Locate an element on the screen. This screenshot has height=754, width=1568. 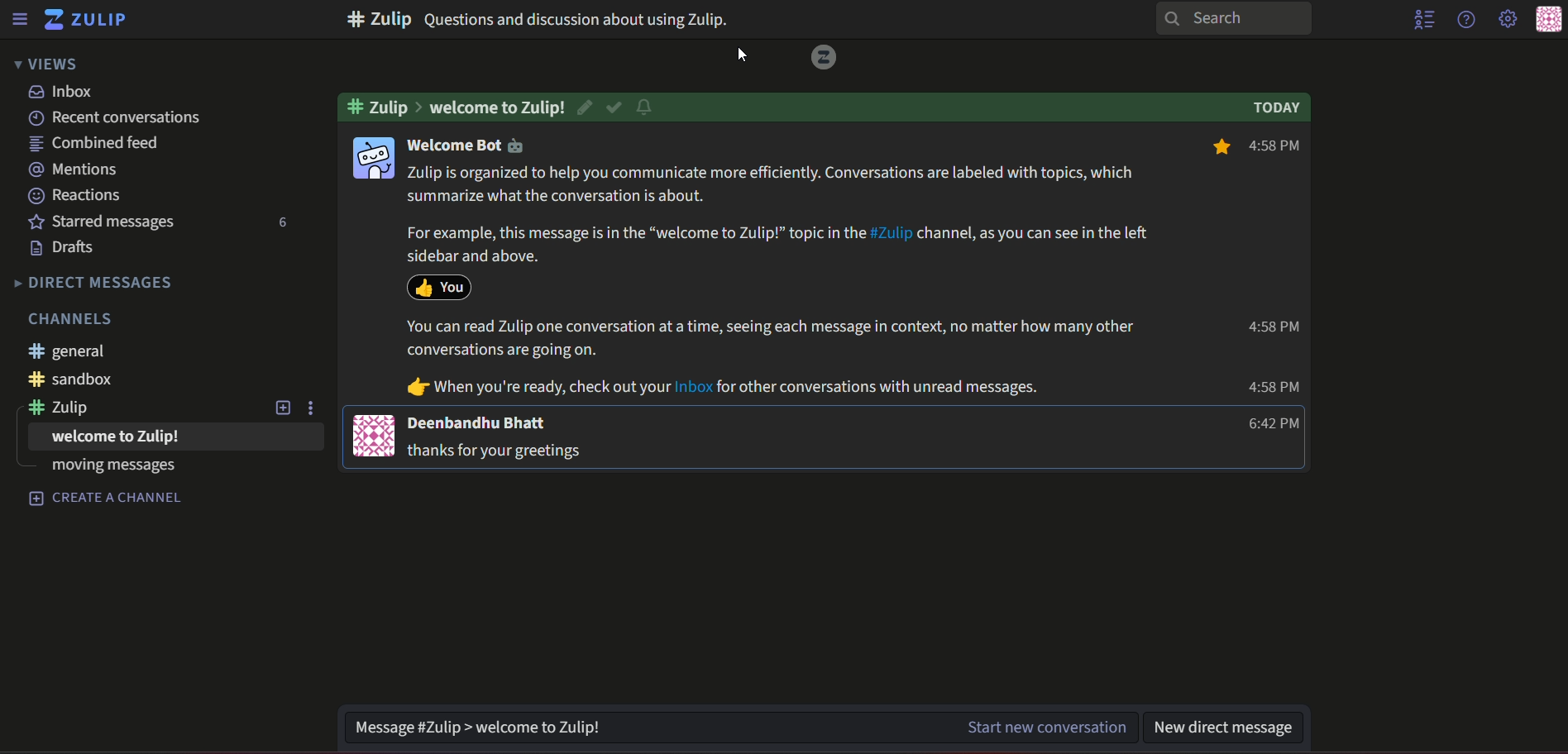
resolved is located at coordinates (614, 106).